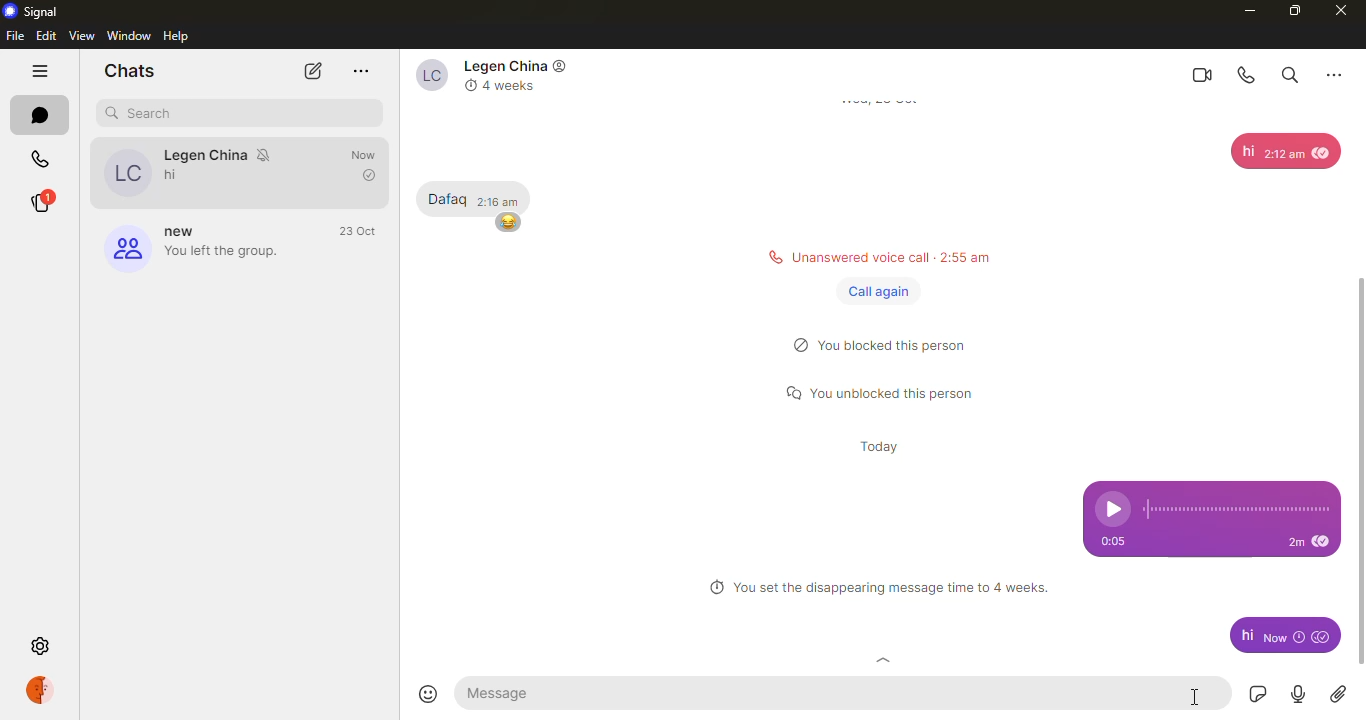  I want to click on Legen China LC  hi, so click(203, 171).